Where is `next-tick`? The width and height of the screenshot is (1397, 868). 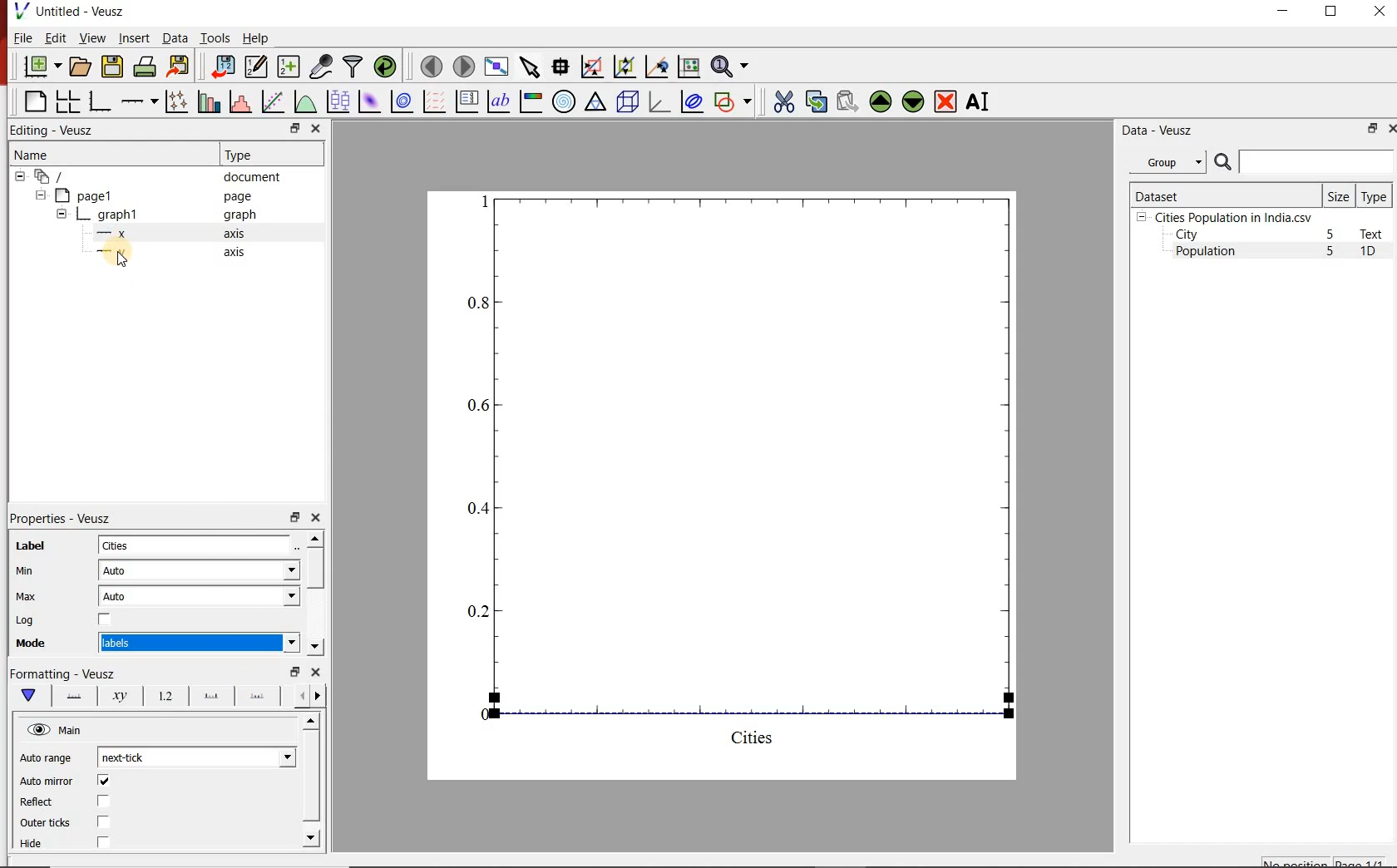 next-tick is located at coordinates (195, 757).